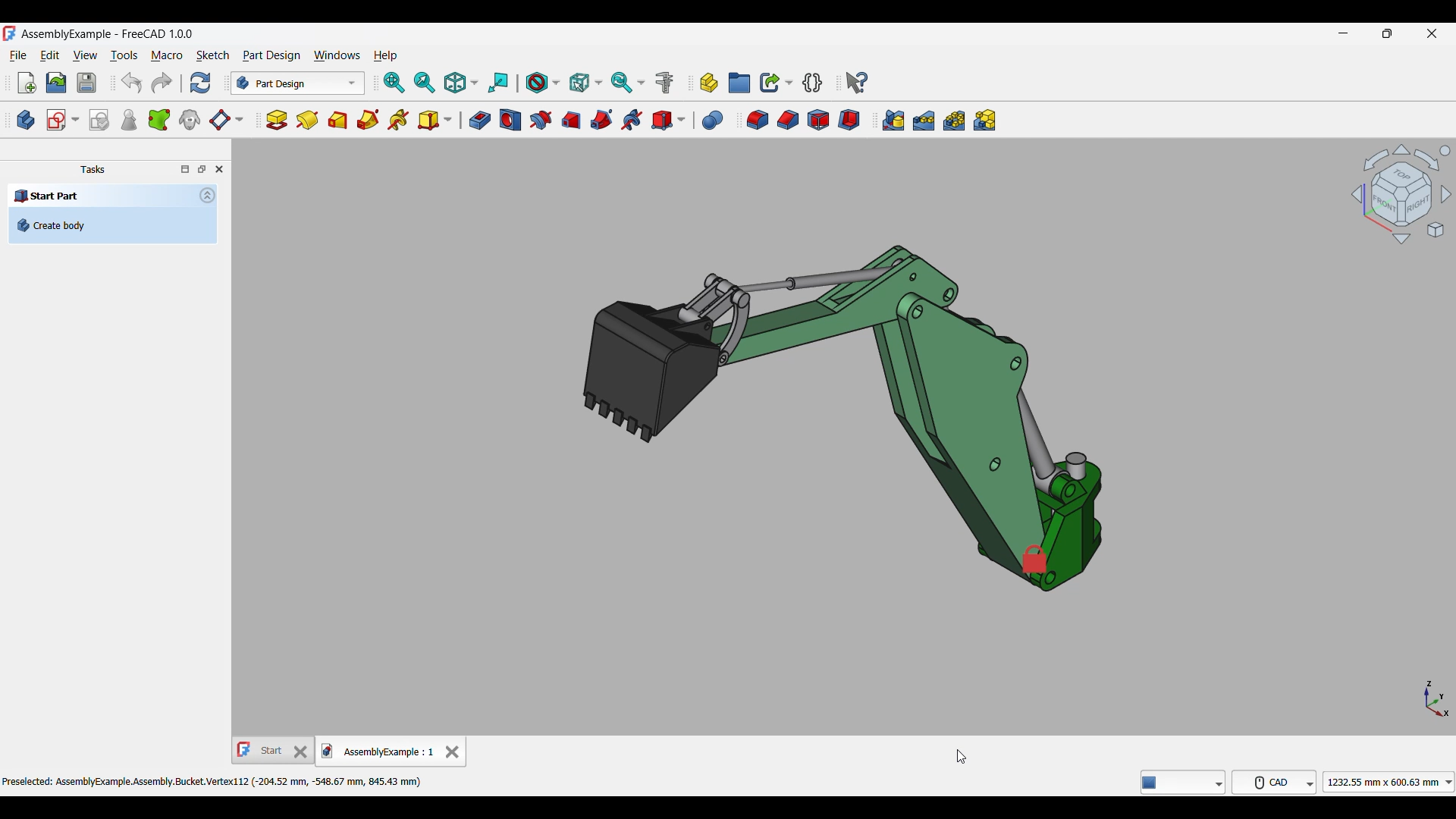 The image size is (1456, 819). I want to click on Boolean operation, so click(712, 121).